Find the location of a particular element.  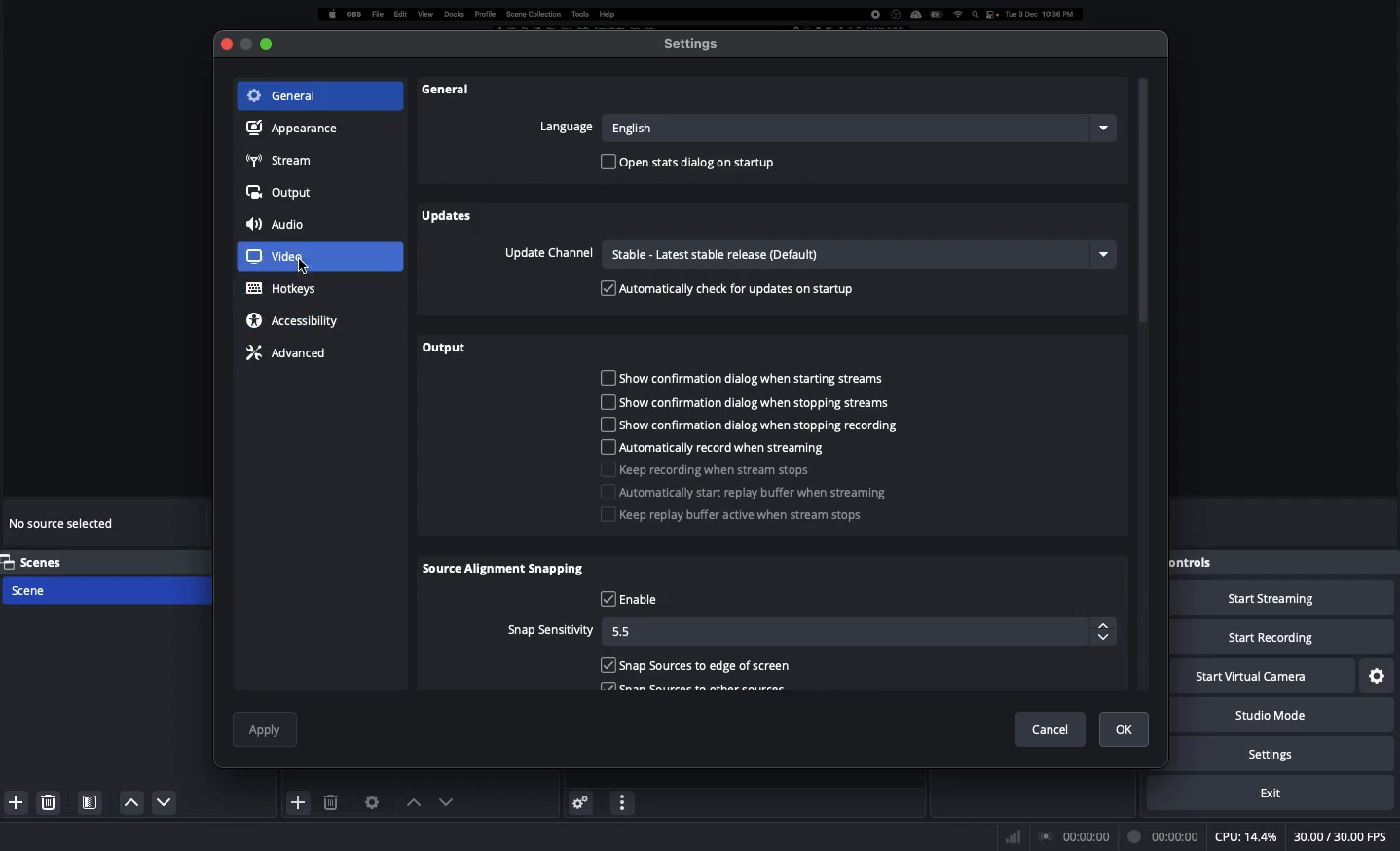

CURSOR is located at coordinates (304, 268).